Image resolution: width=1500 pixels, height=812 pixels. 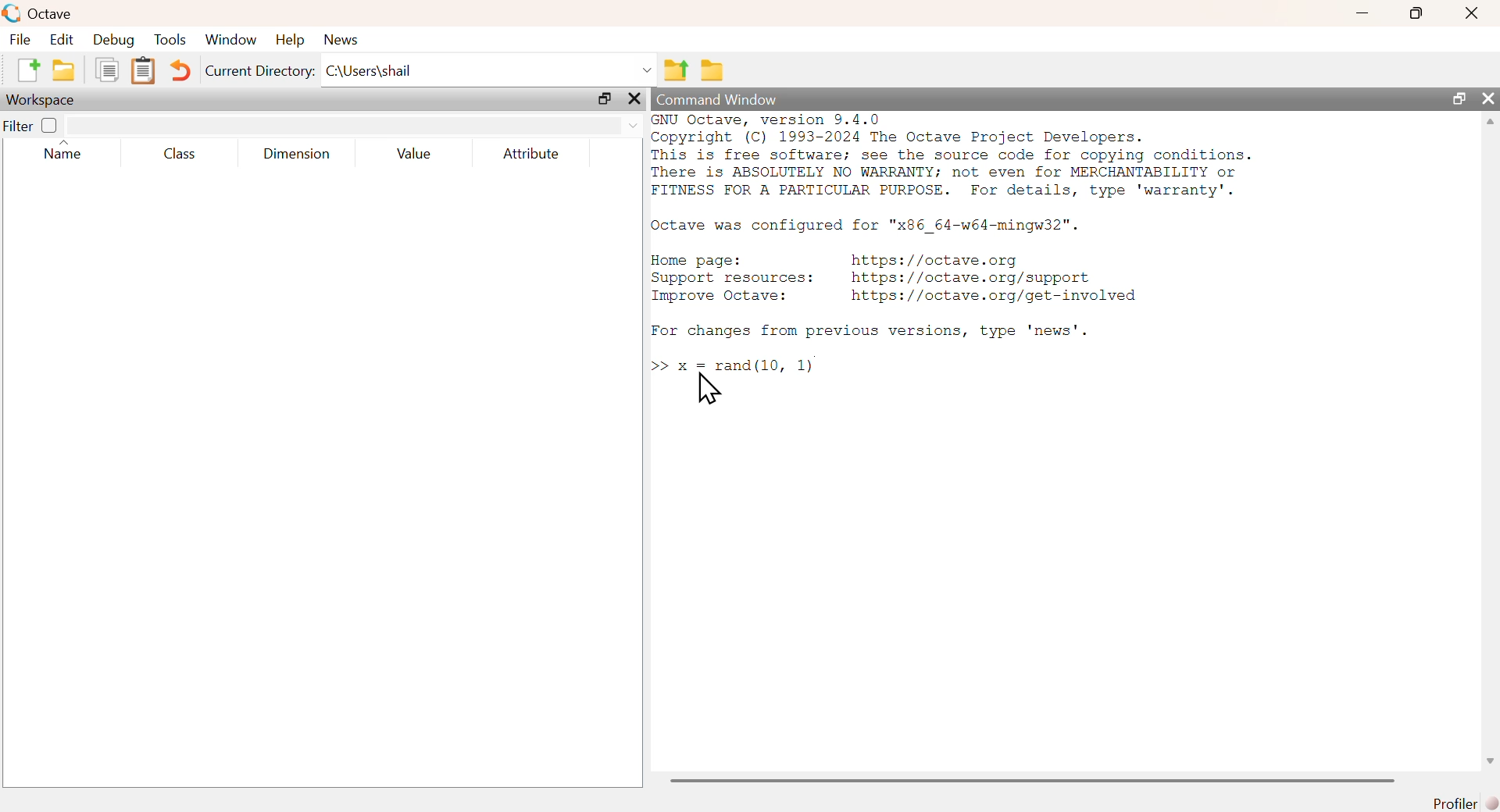 I want to click on workspace, so click(x=48, y=100).